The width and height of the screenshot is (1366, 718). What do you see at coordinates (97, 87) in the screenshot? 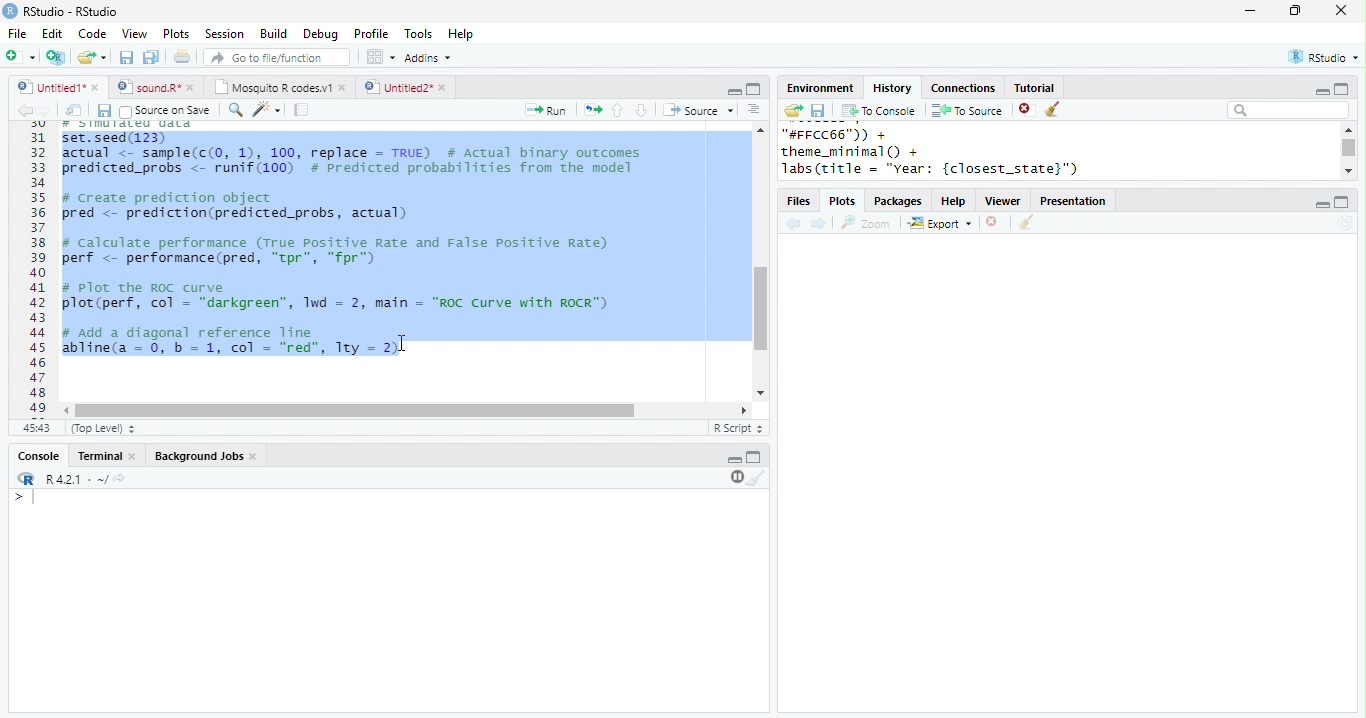
I see `close` at bounding box center [97, 87].